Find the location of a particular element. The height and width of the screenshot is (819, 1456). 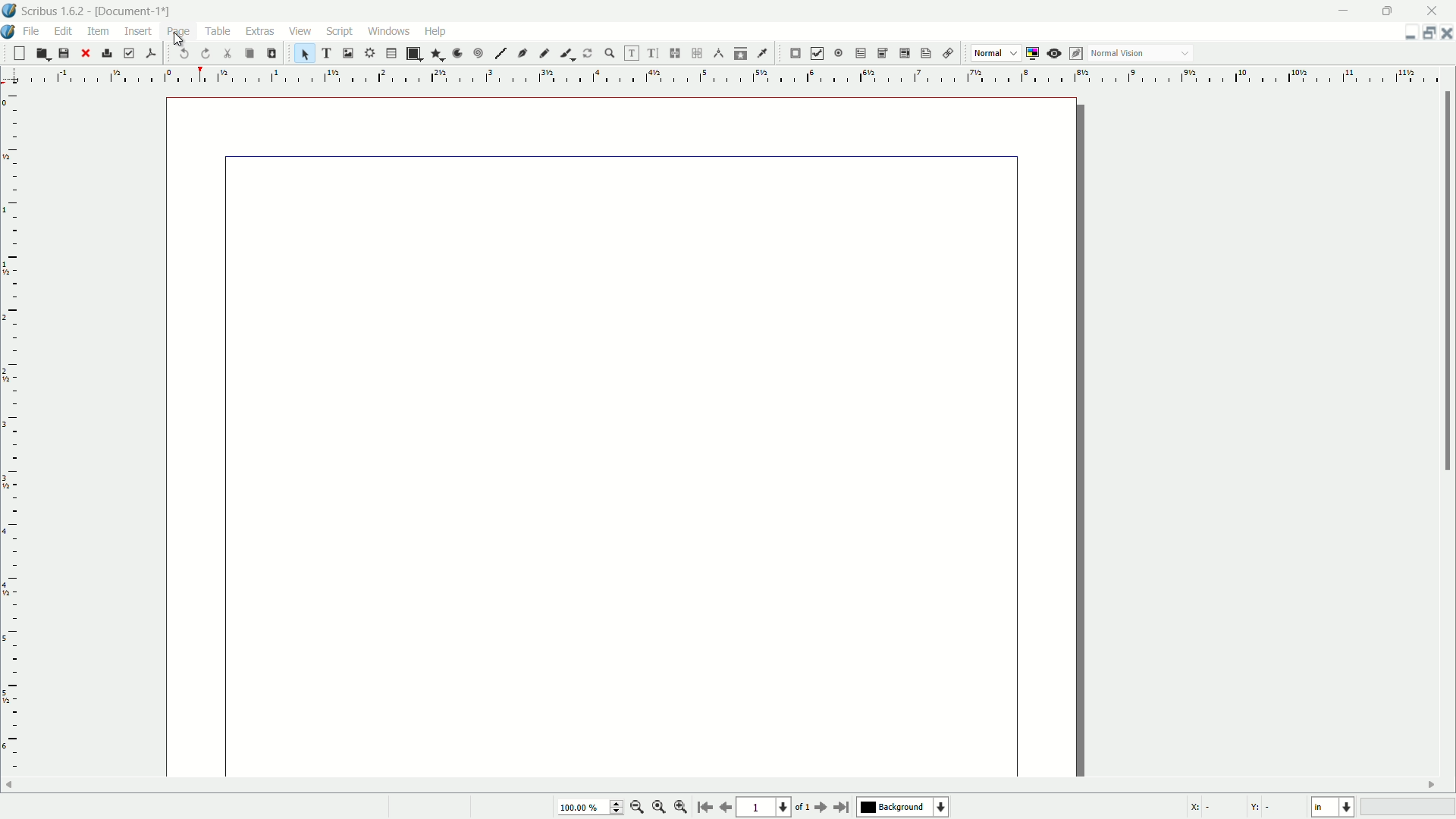

guide manager is located at coordinates (1405, 33).